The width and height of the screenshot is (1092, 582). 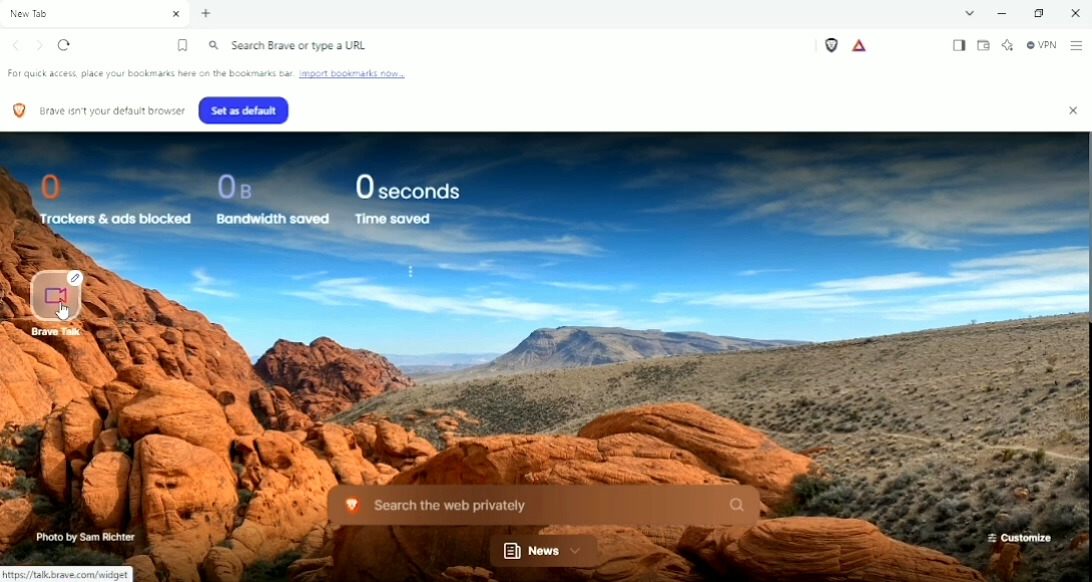 What do you see at coordinates (60, 302) in the screenshot?
I see `Brave Talk` at bounding box center [60, 302].